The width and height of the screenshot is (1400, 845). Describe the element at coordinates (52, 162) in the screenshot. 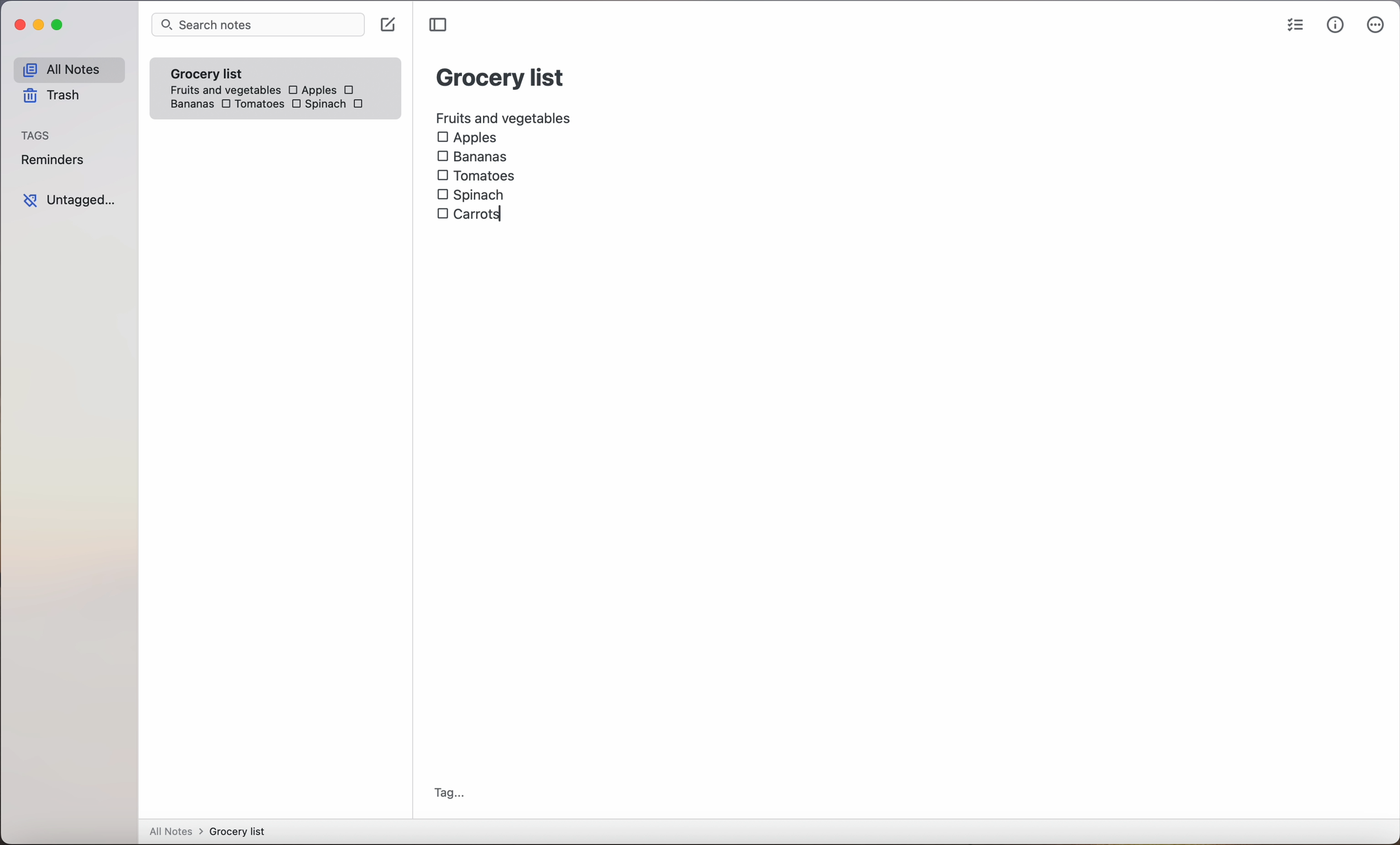

I see `reminders` at that location.